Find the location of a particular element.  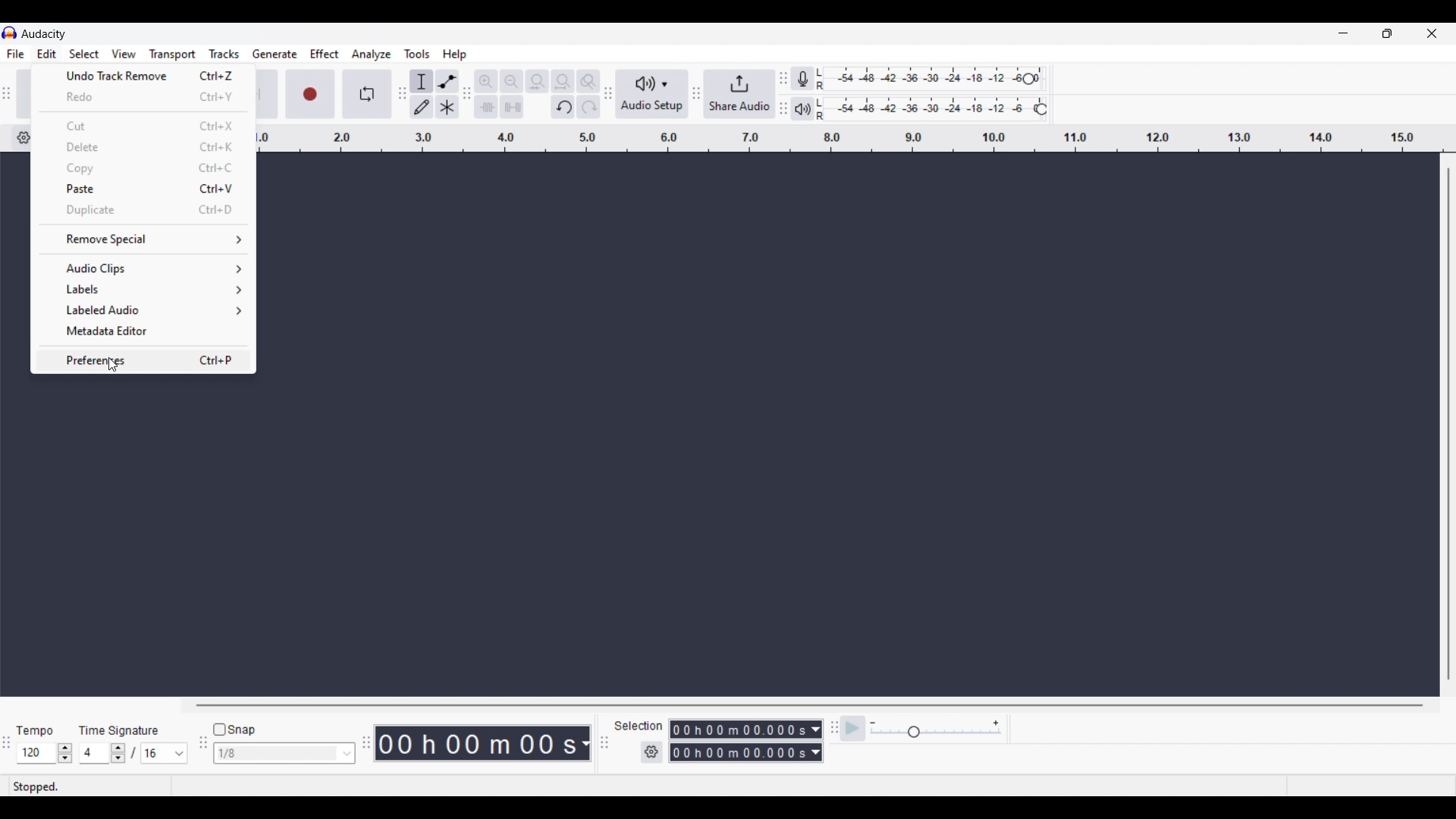

Selection is located at coordinates (637, 726).